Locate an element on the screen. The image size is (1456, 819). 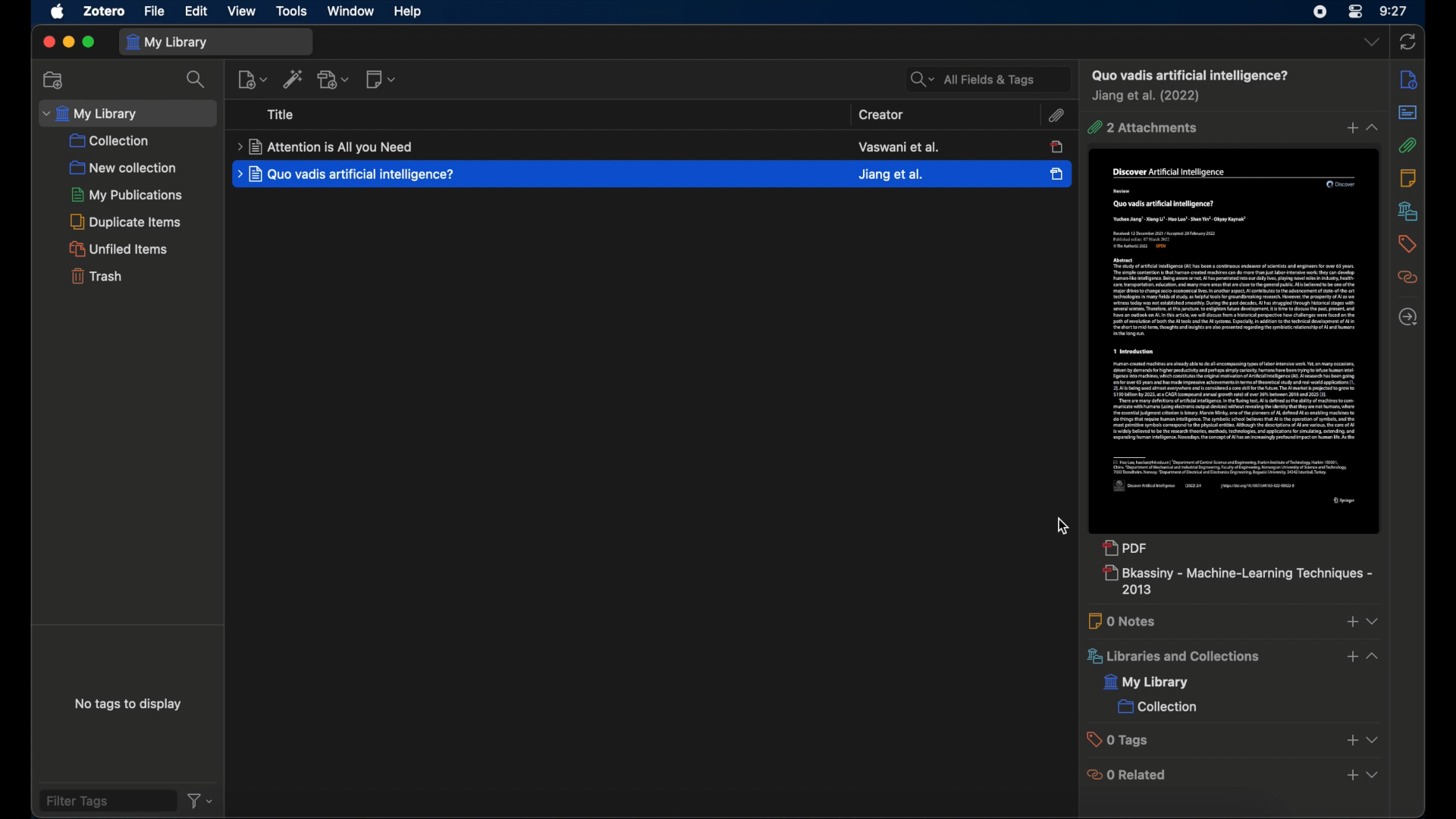
new attachment added is located at coordinates (1242, 581).